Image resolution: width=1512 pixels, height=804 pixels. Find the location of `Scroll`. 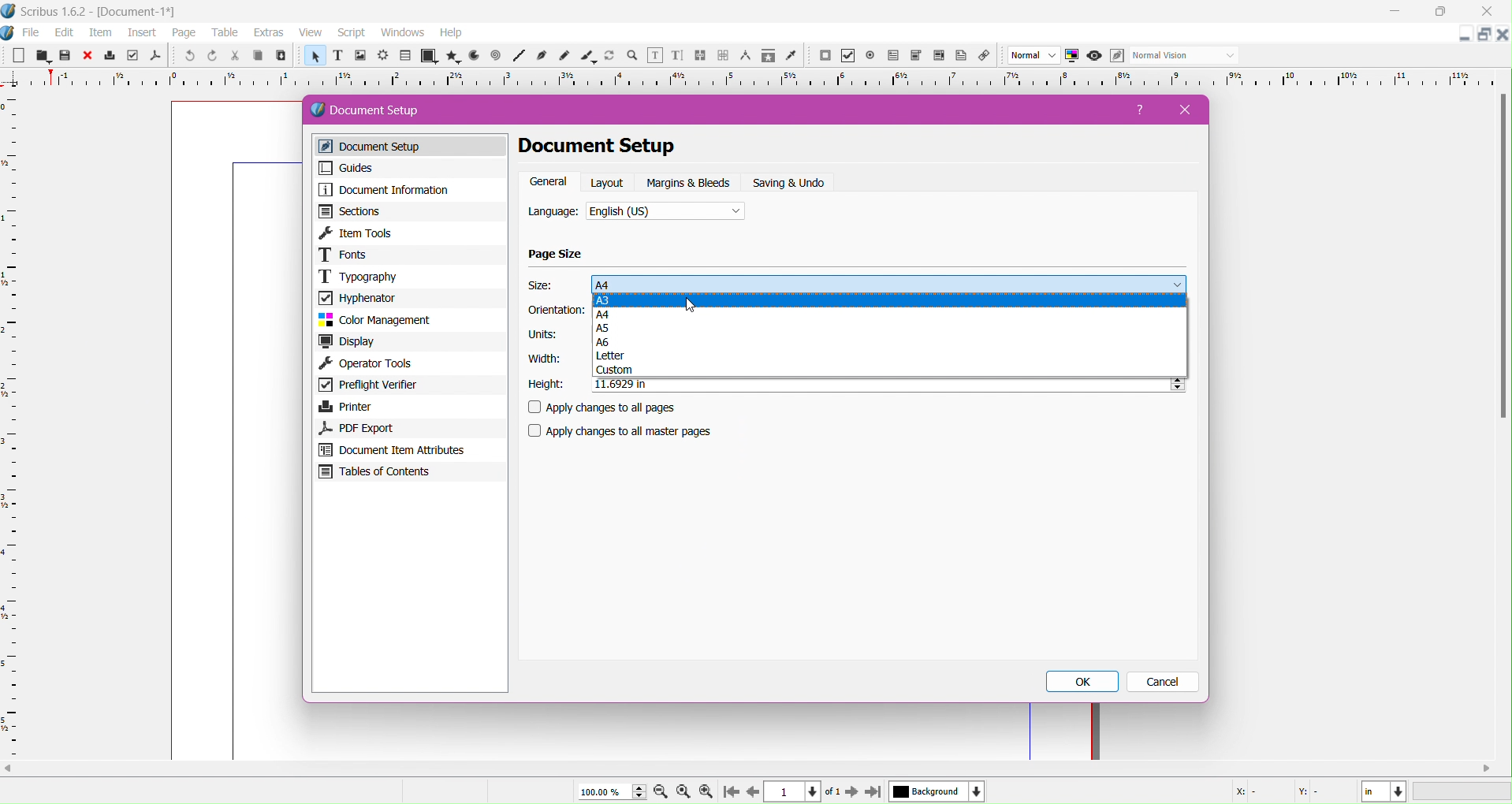

Scroll is located at coordinates (1500, 260).